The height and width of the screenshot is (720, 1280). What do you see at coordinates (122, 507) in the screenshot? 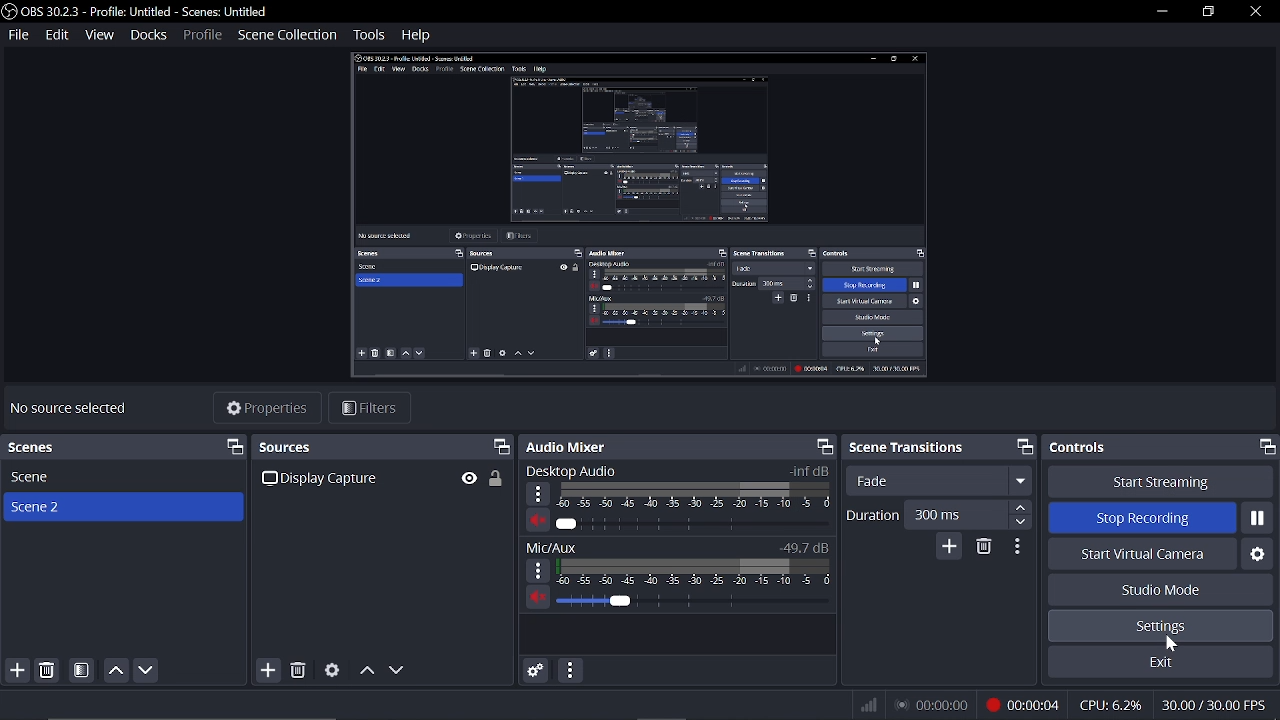
I see `scene 2` at bounding box center [122, 507].